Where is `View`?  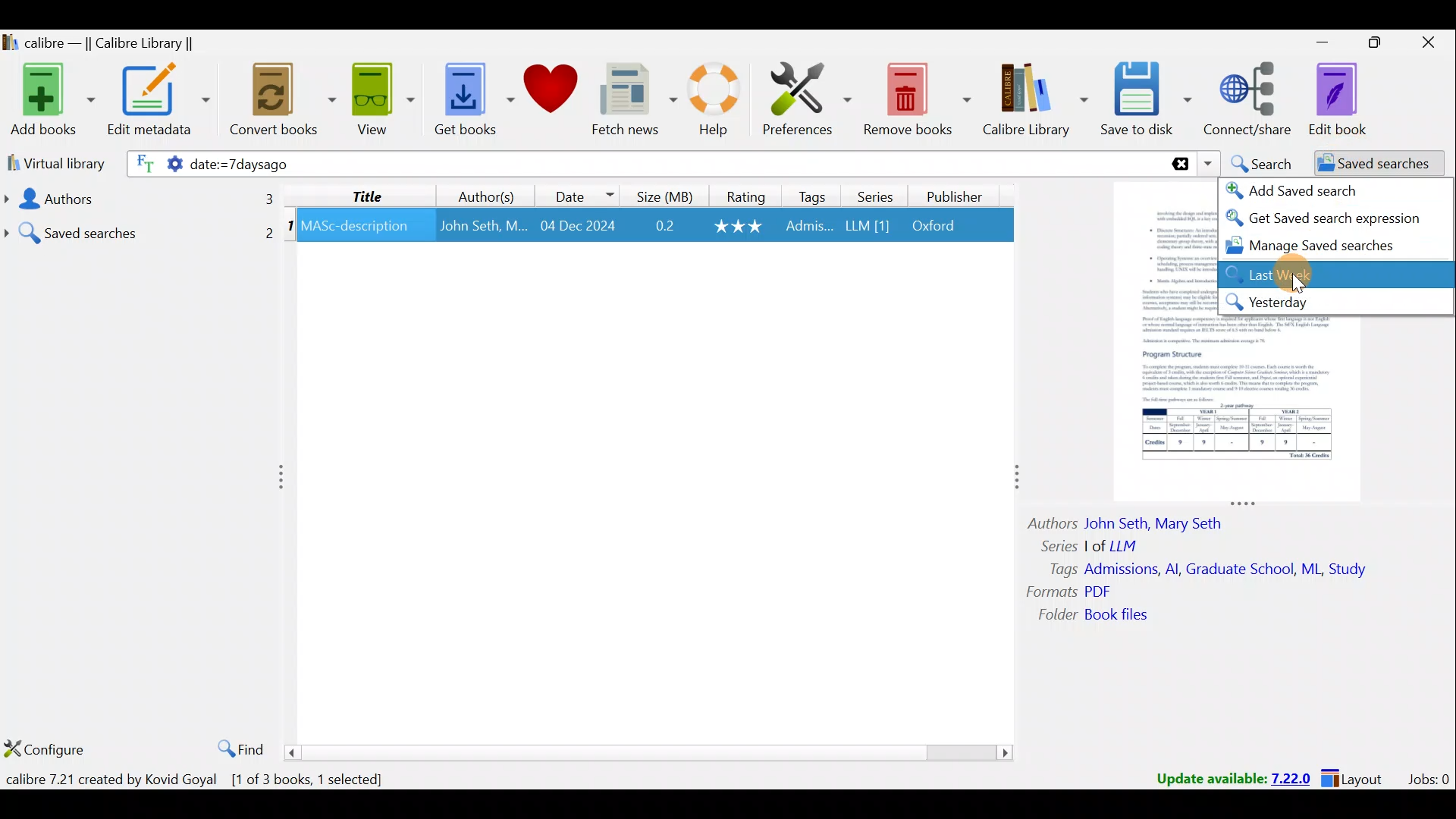 View is located at coordinates (379, 101).